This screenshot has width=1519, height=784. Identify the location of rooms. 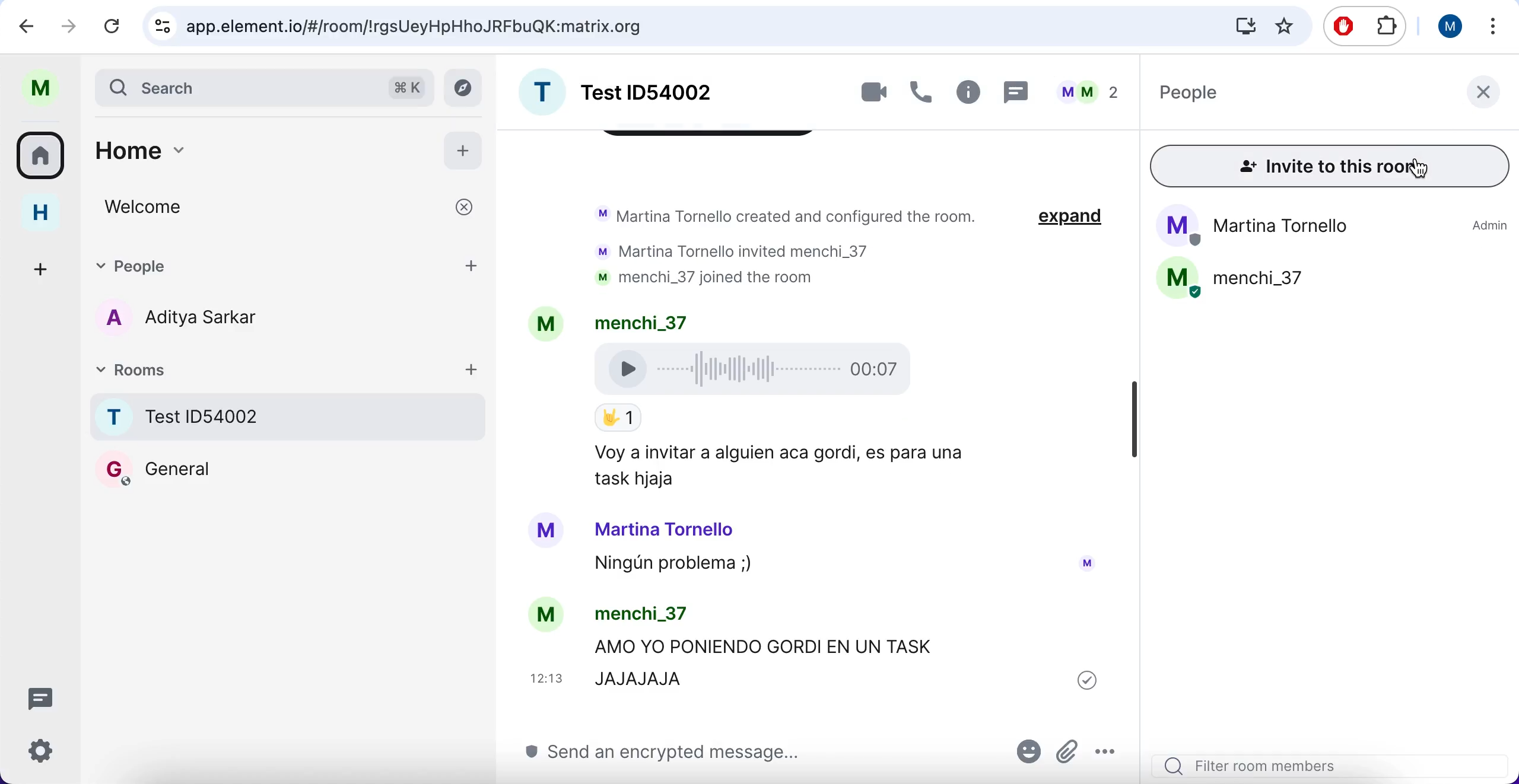
(287, 511).